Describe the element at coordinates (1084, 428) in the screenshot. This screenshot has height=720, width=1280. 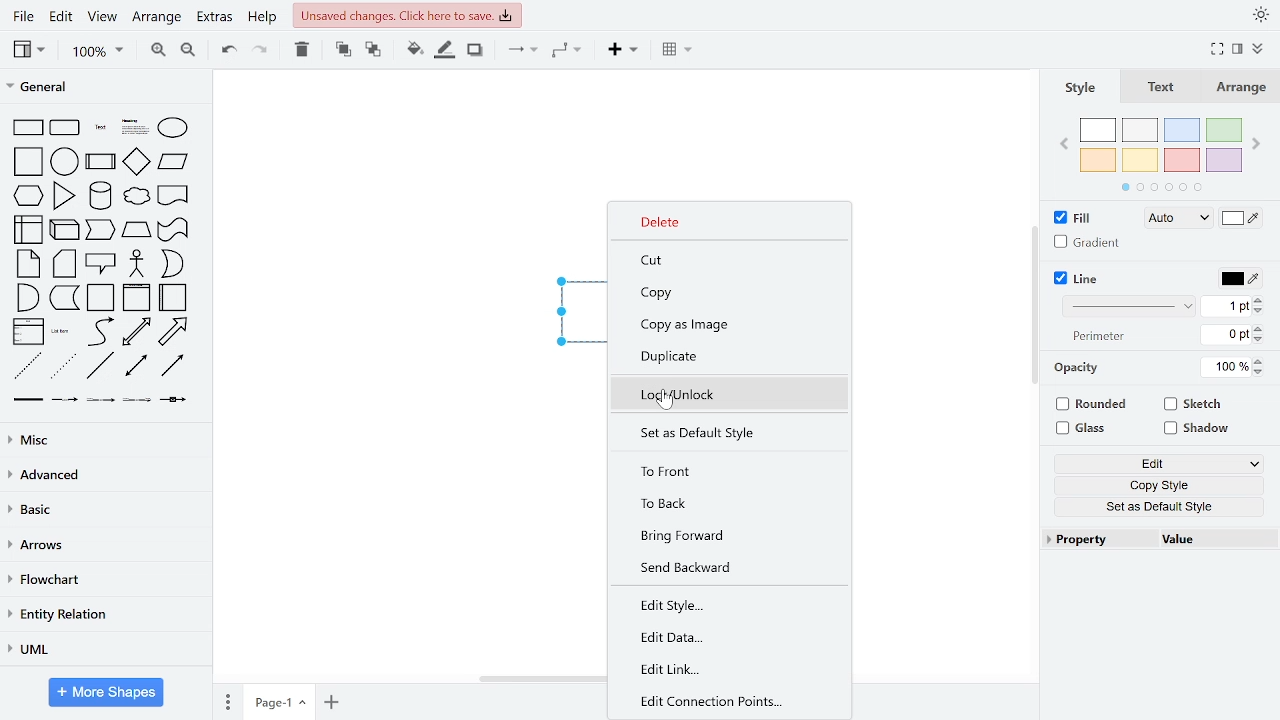
I see `glass` at that location.